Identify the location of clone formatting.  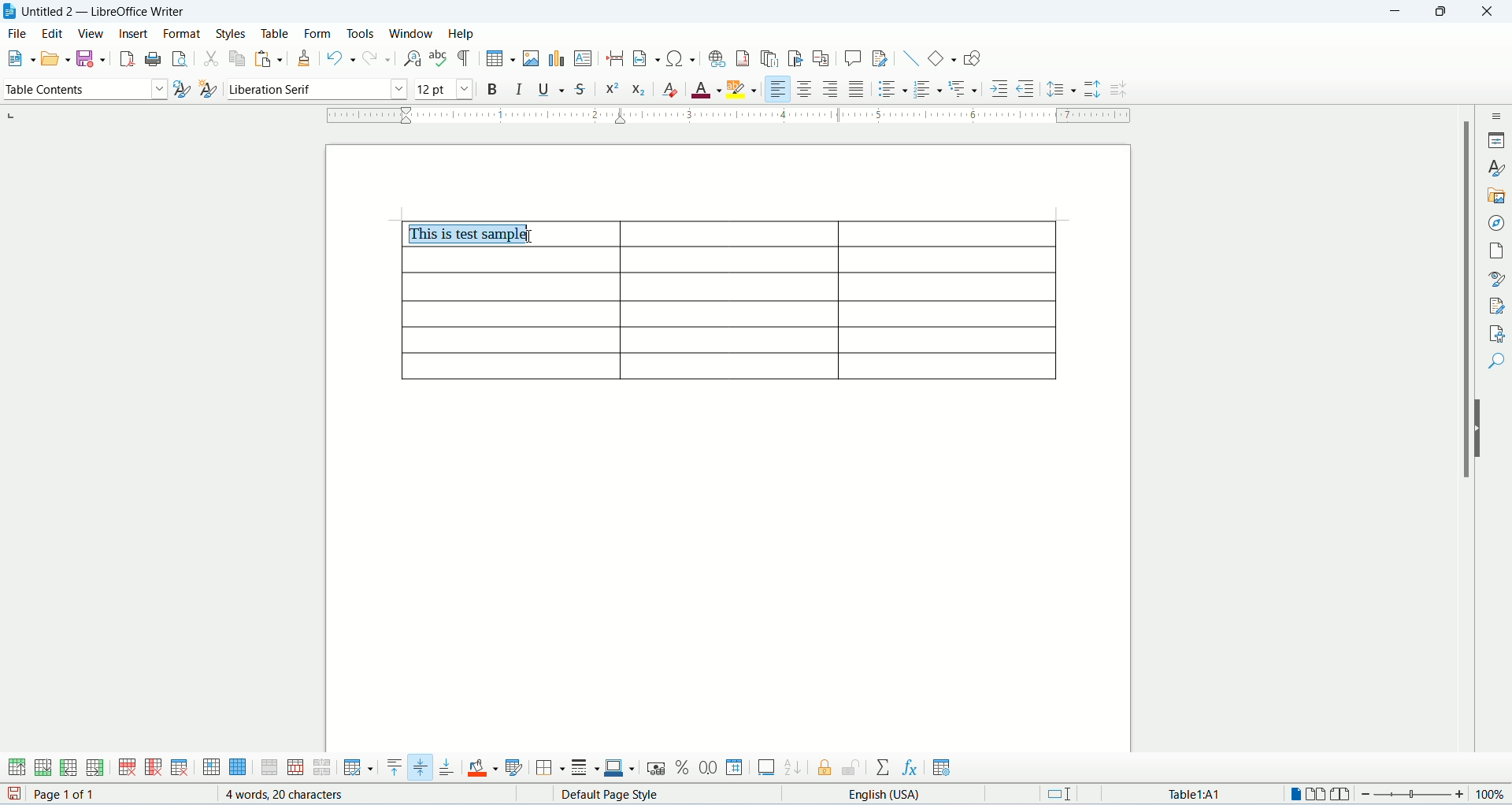
(306, 57).